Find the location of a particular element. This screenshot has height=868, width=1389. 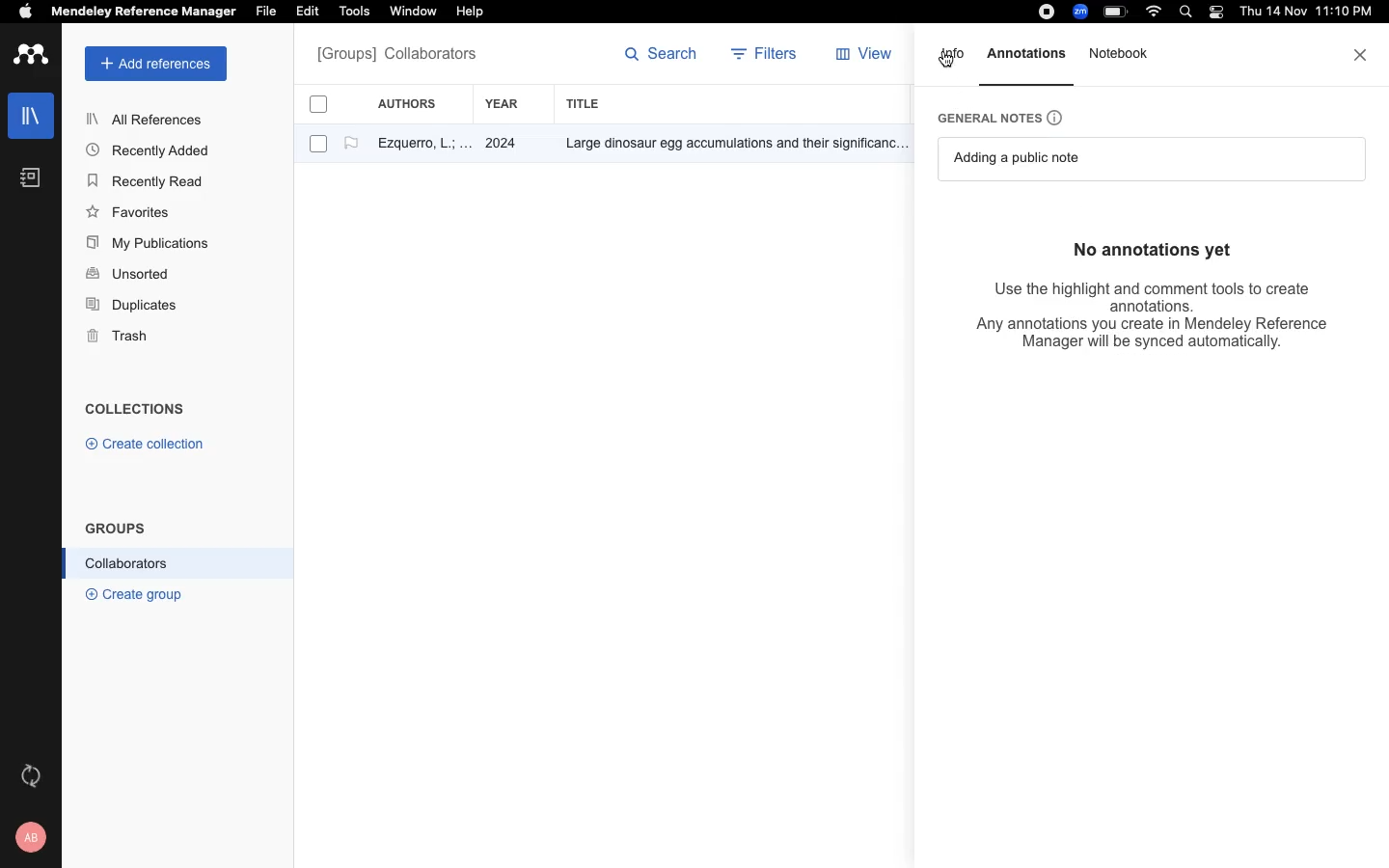

checkboxes is located at coordinates (311, 127).